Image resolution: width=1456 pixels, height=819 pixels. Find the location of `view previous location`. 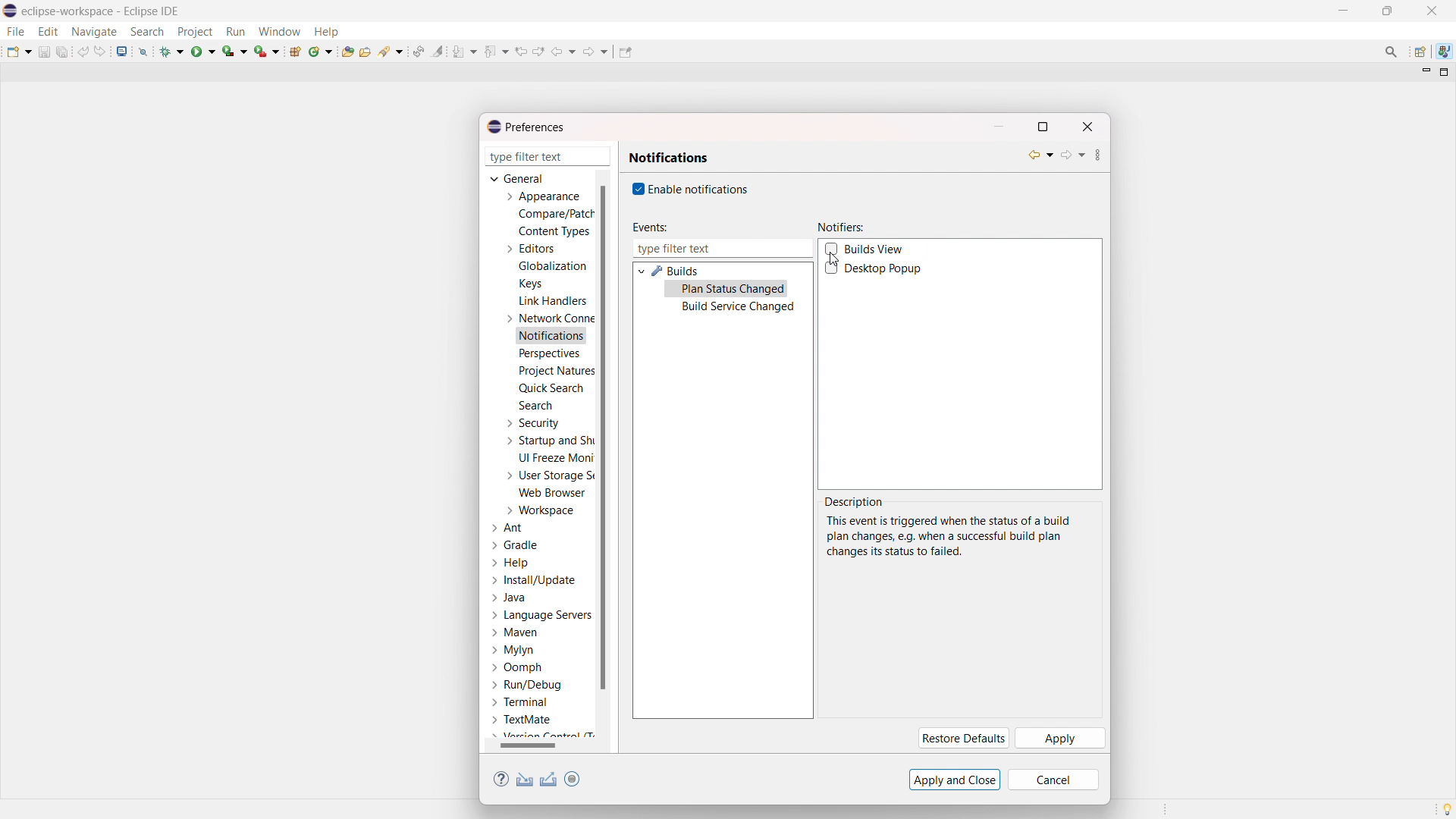

view previous location is located at coordinates (521, 51).